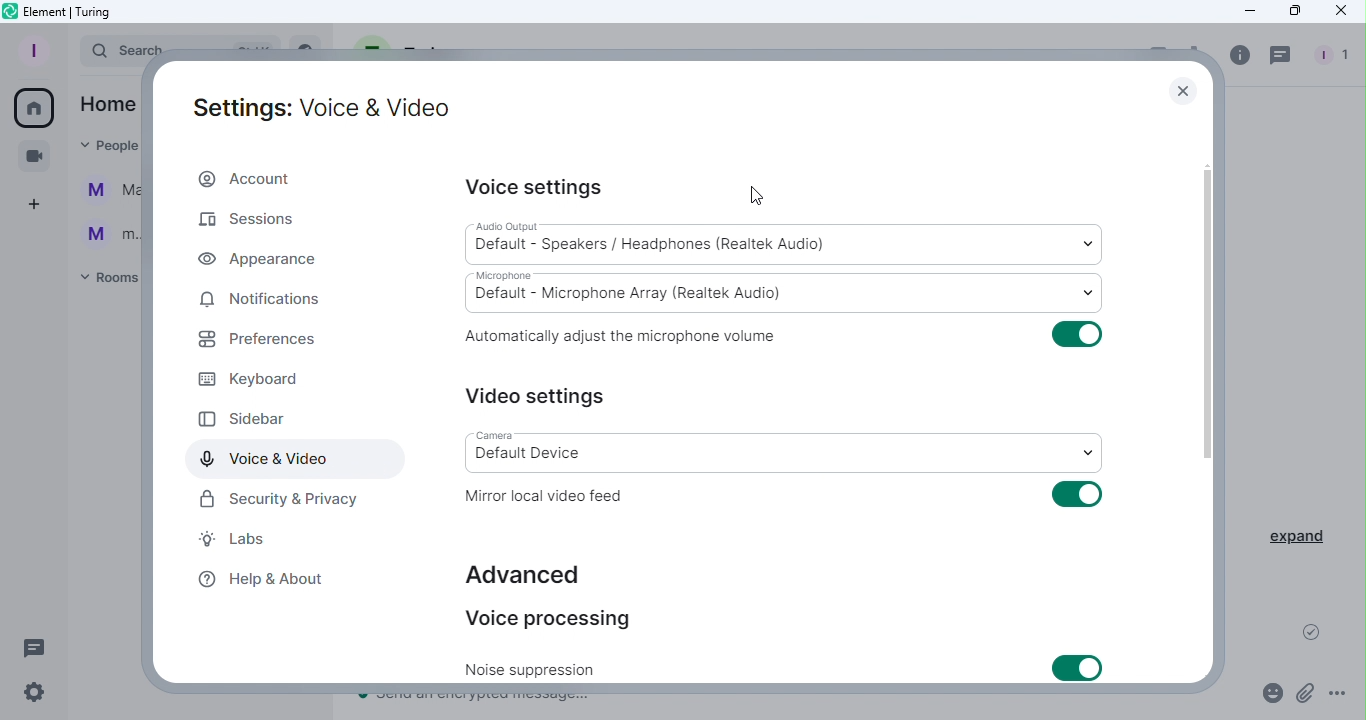 The image size is (1366, 720). What do you see at coordinates (1208, 397) in the screenshot?
I see `Scroll bar` at bounding box center [1208, 397].